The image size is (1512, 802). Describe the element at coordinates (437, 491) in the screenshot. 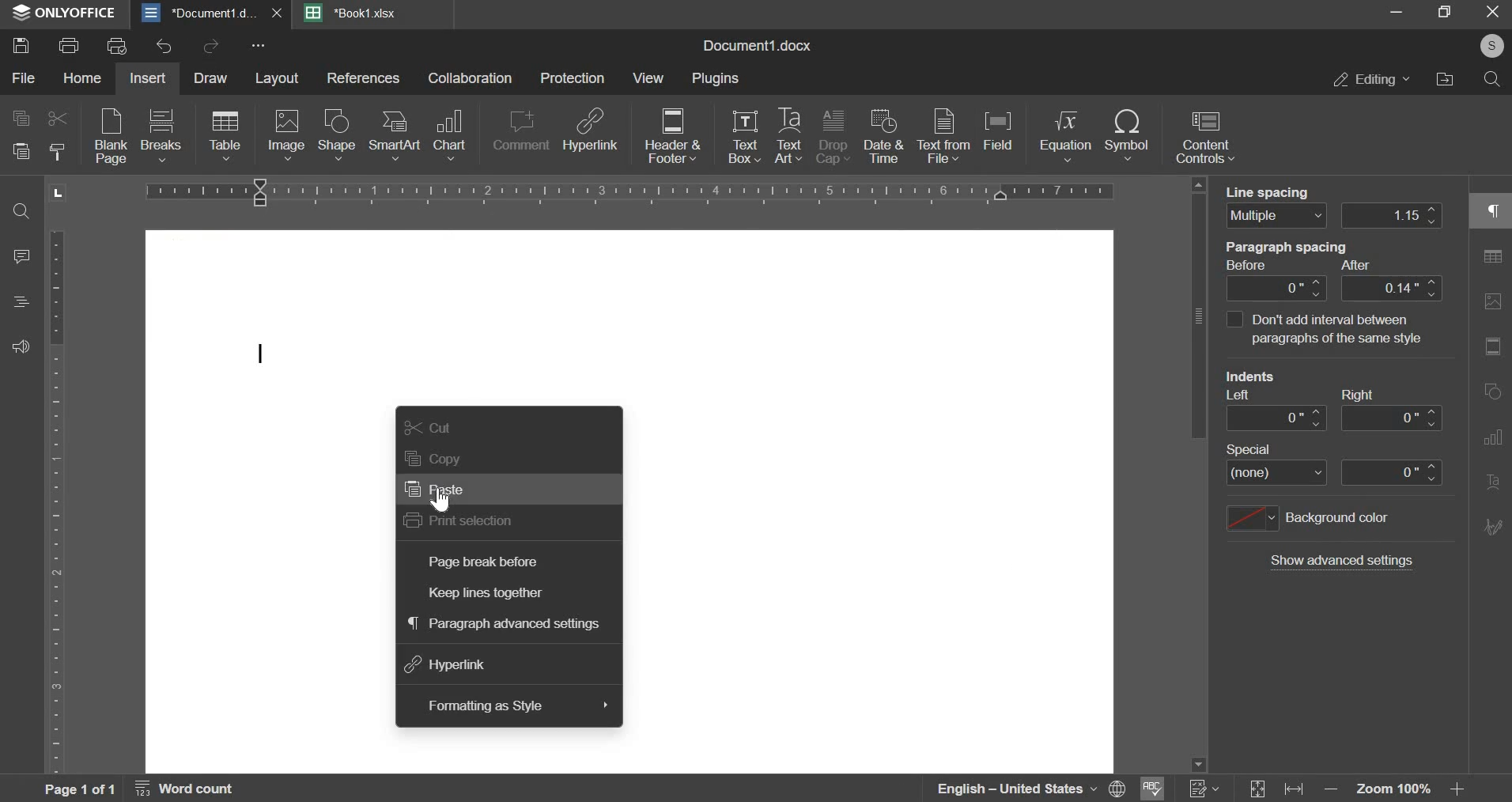

I see `paste` at that location.